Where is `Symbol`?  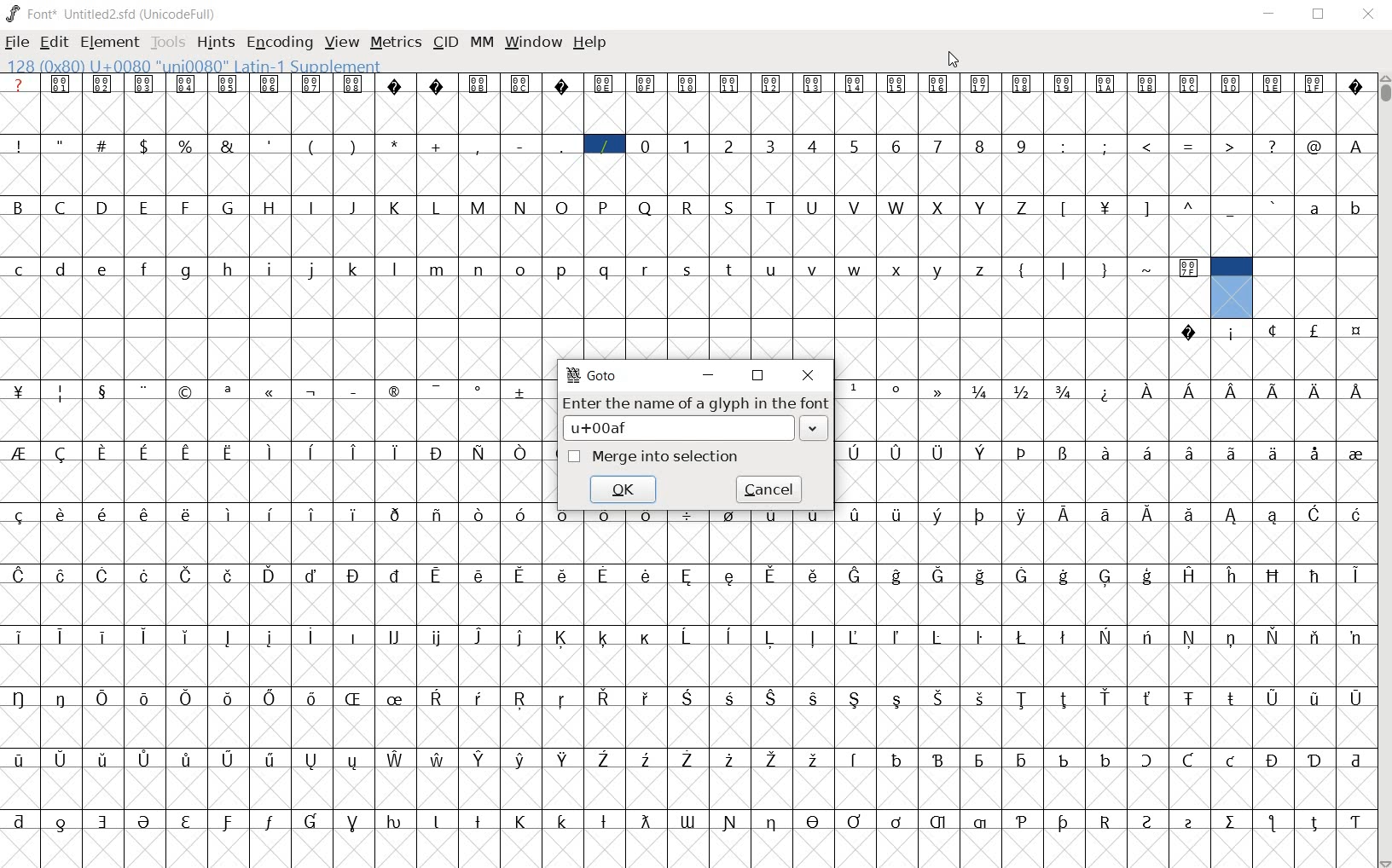 Symbol is located at coordinates (858, 576).